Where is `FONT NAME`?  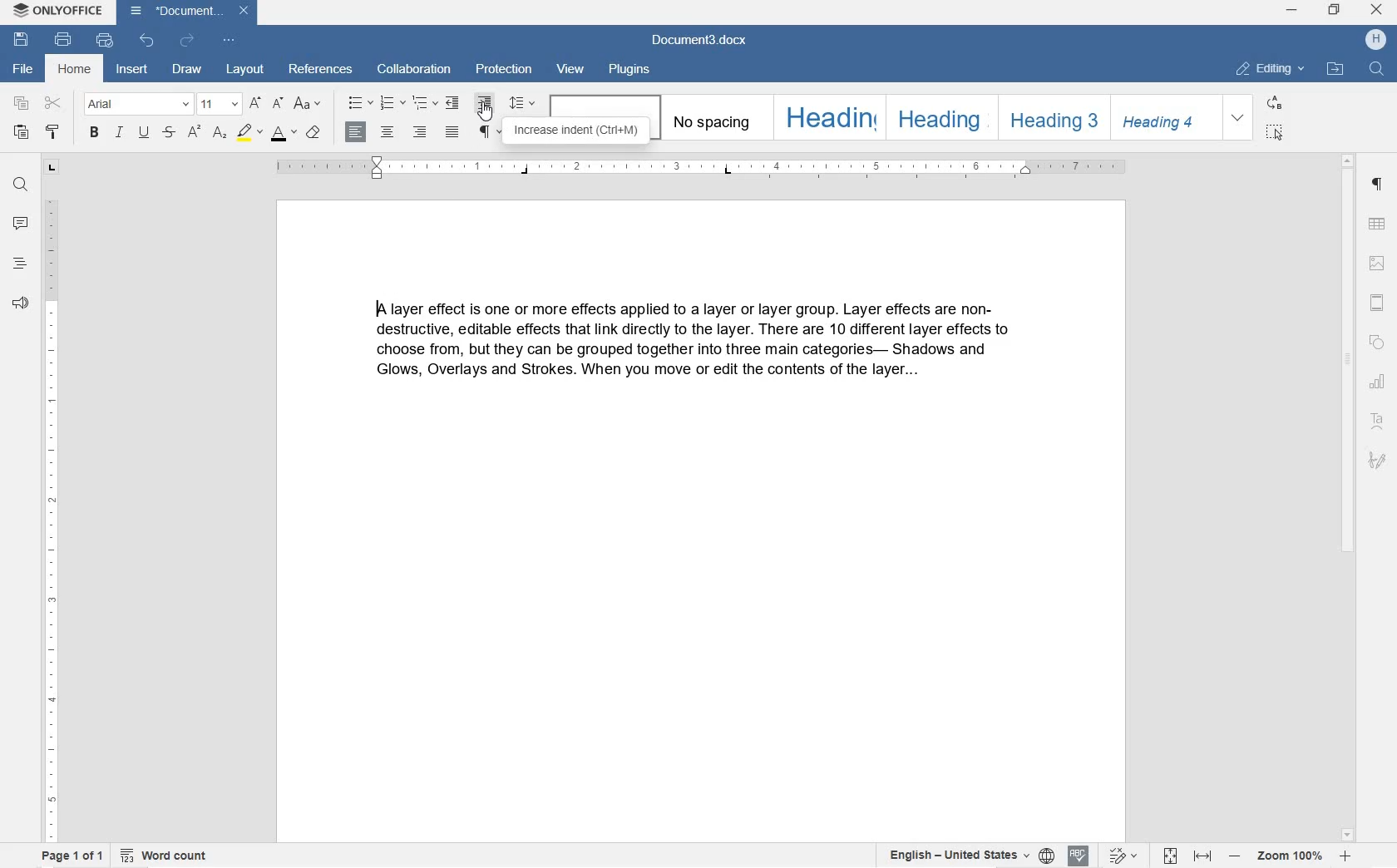
FONT NAME is located at coordinates (139, 104).